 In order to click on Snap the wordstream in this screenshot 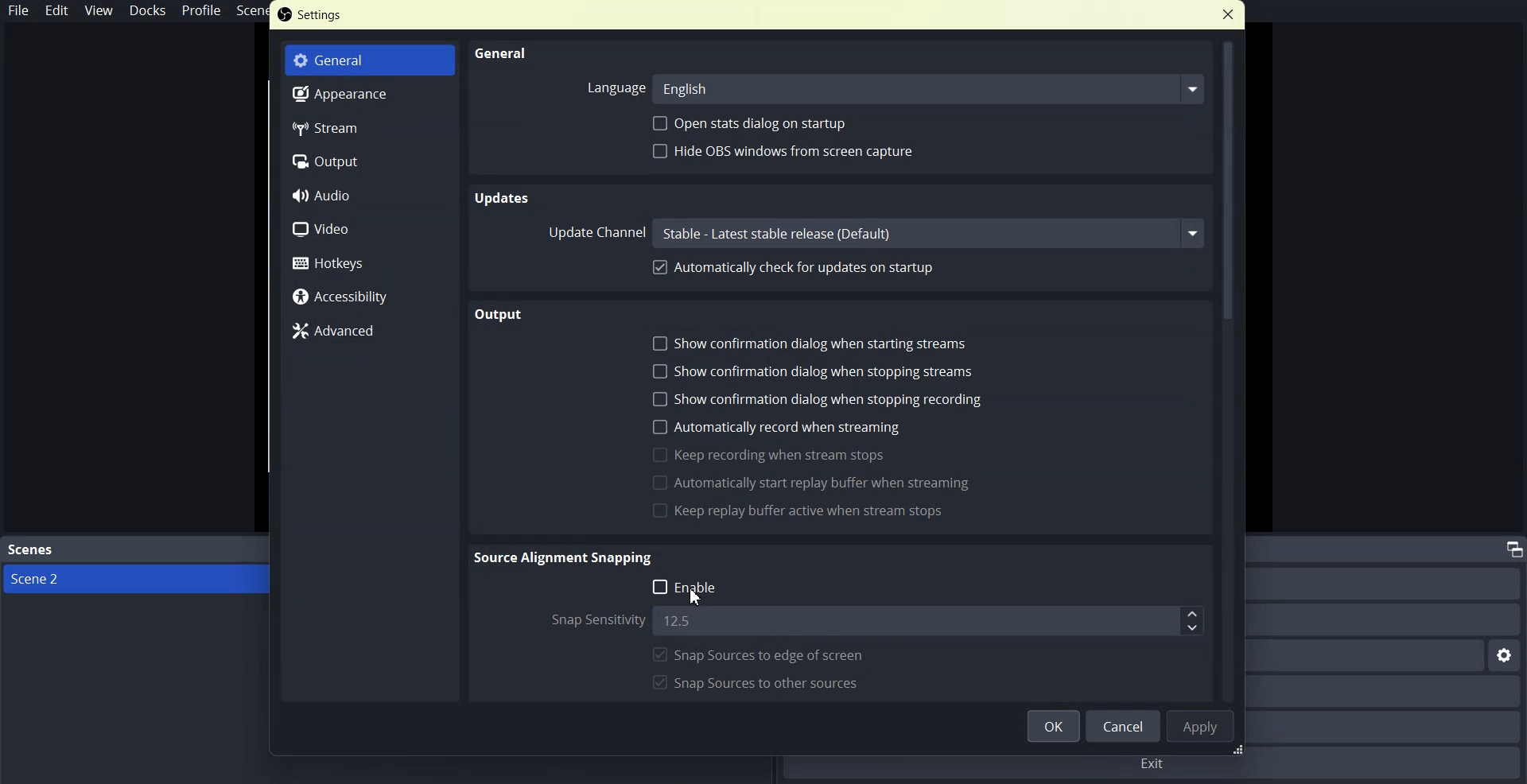, I will do `click(593, 622)`.